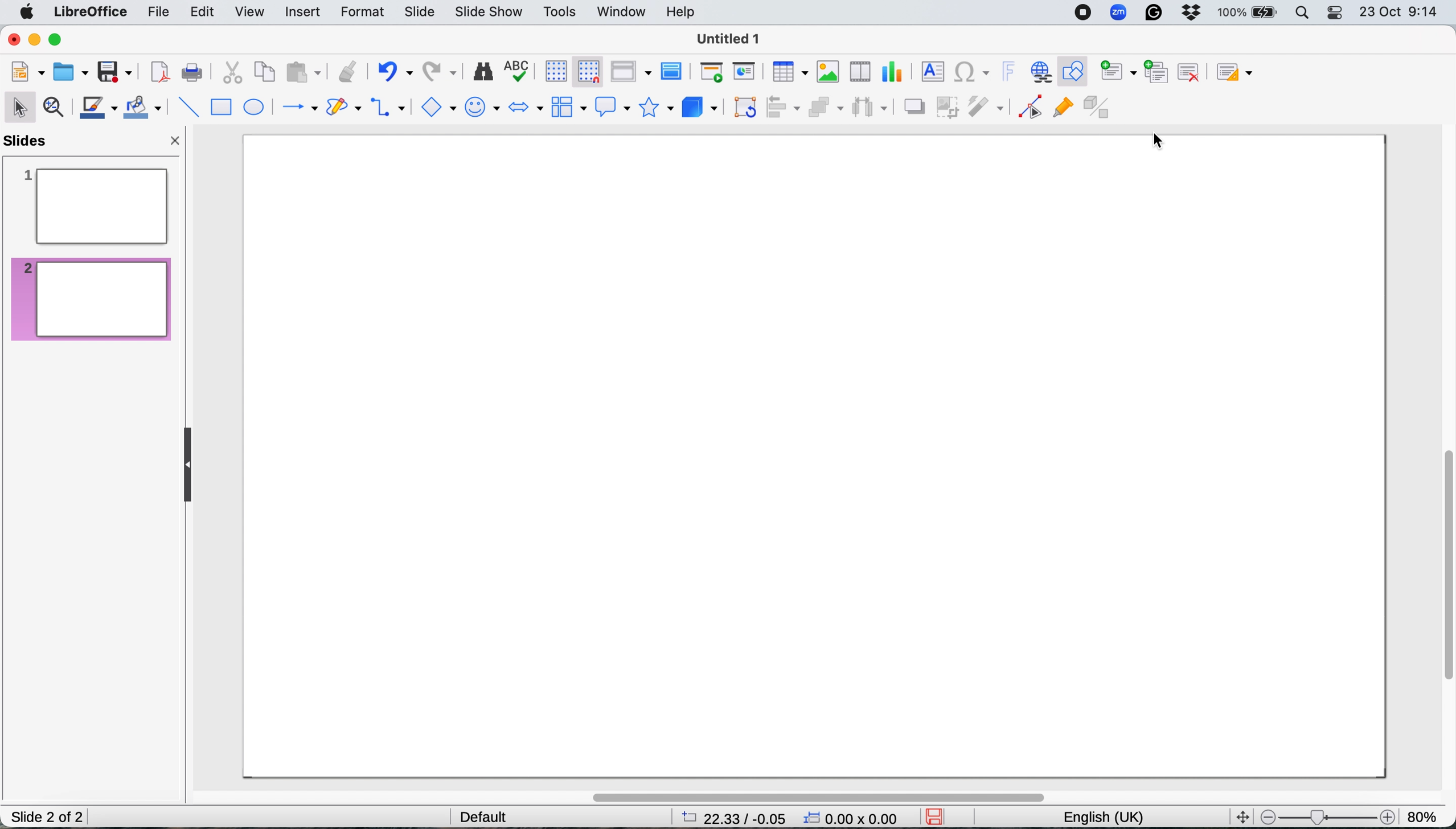 This screenshot has height=829, width=1456. What do you see at coordinates (824, 109) in the screenshot?
I see `arrange` at bounding box center [824, 109].